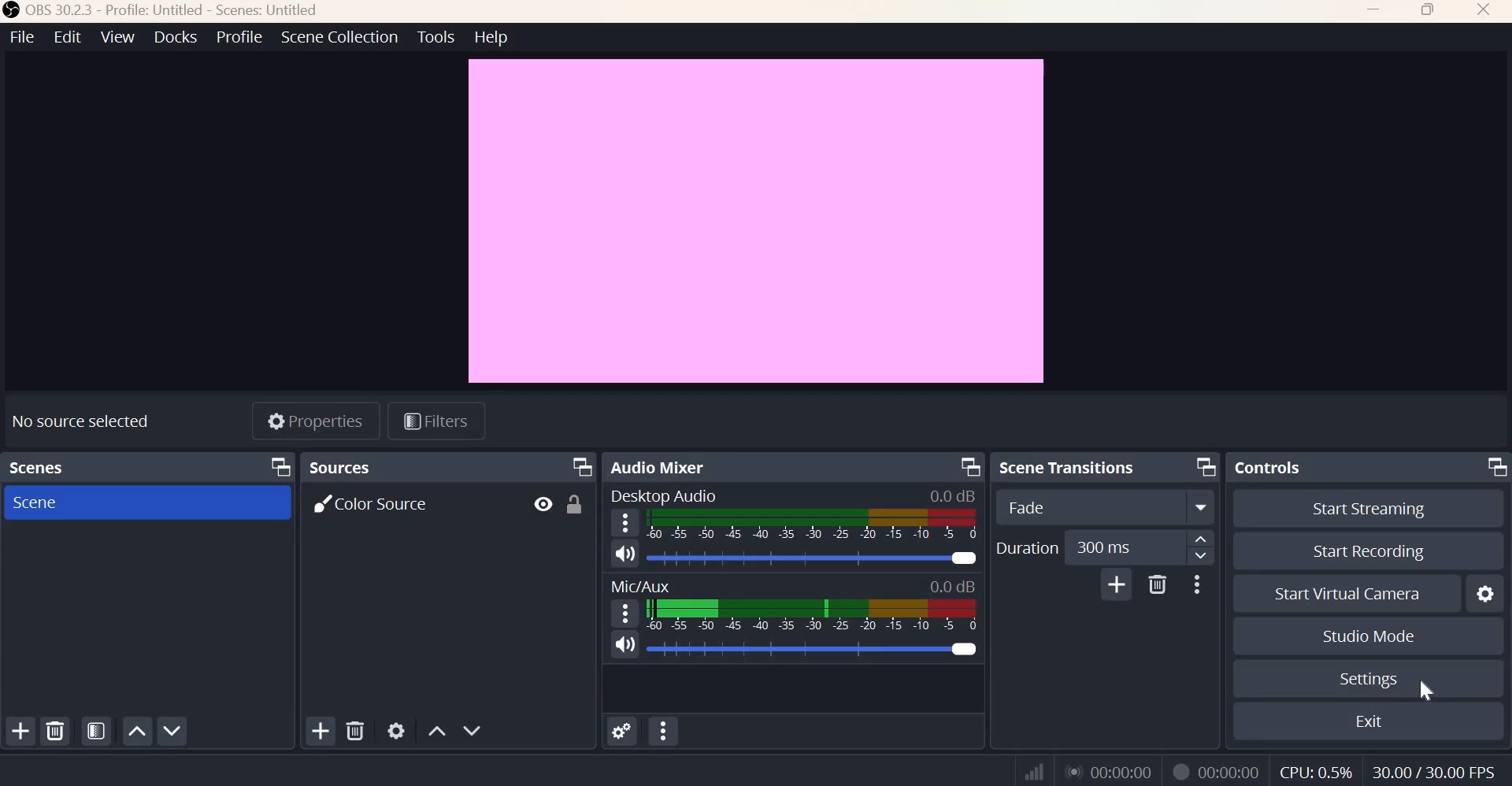  I want to click on Dock Options icon, so click(1202, 468).